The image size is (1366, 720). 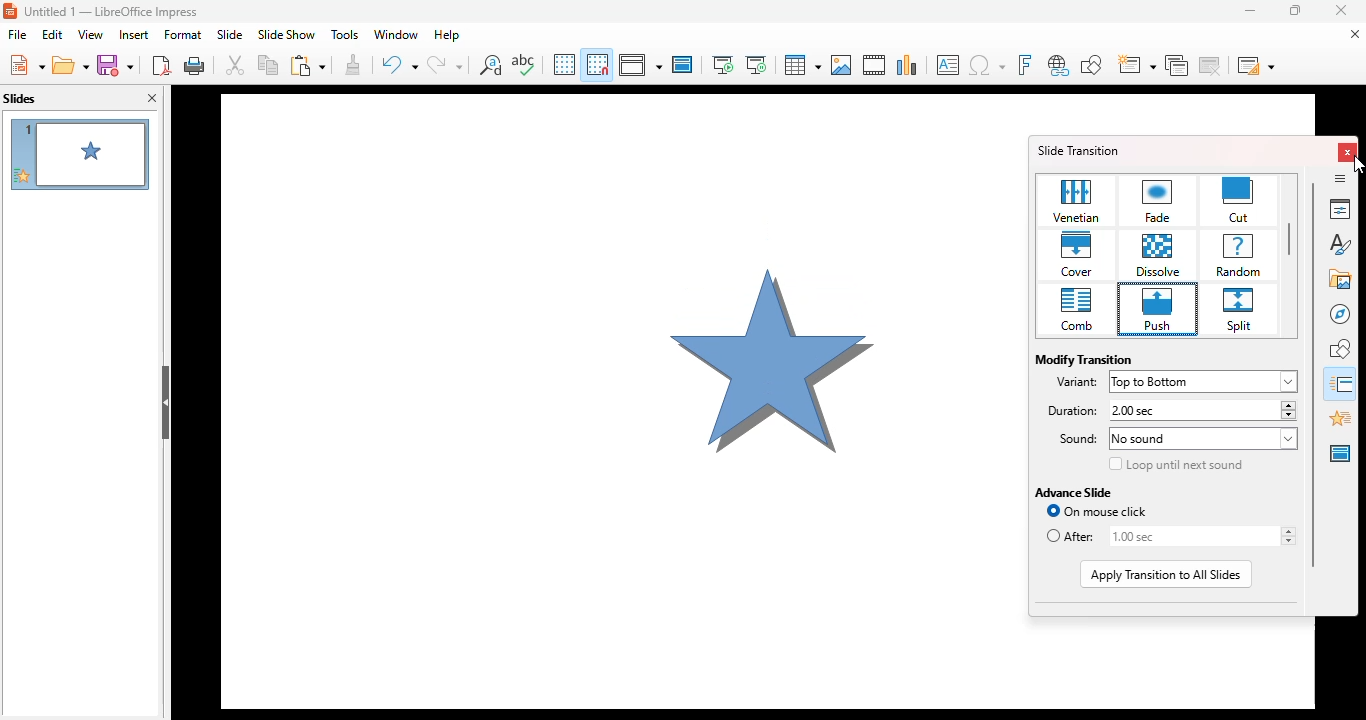 I want to click on cursor, so click(x=1359, y=164).